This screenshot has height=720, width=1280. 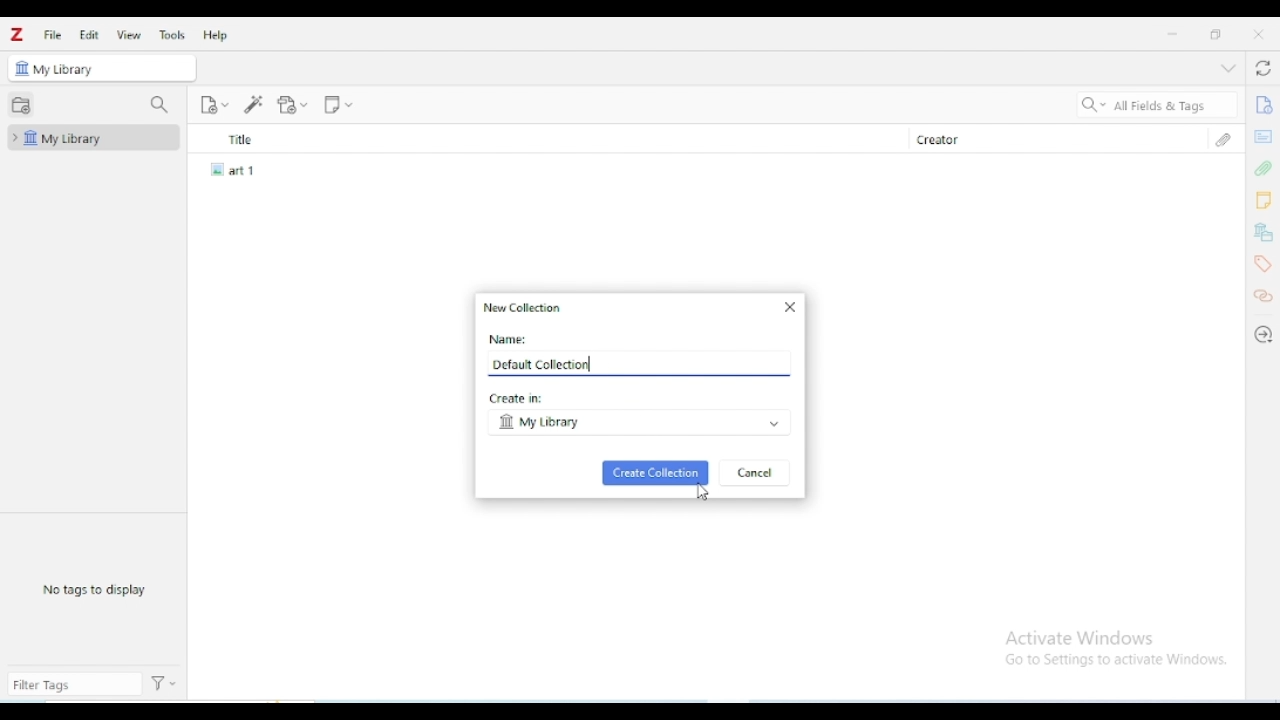 I want to click on related, so click(x=1263, y=296).